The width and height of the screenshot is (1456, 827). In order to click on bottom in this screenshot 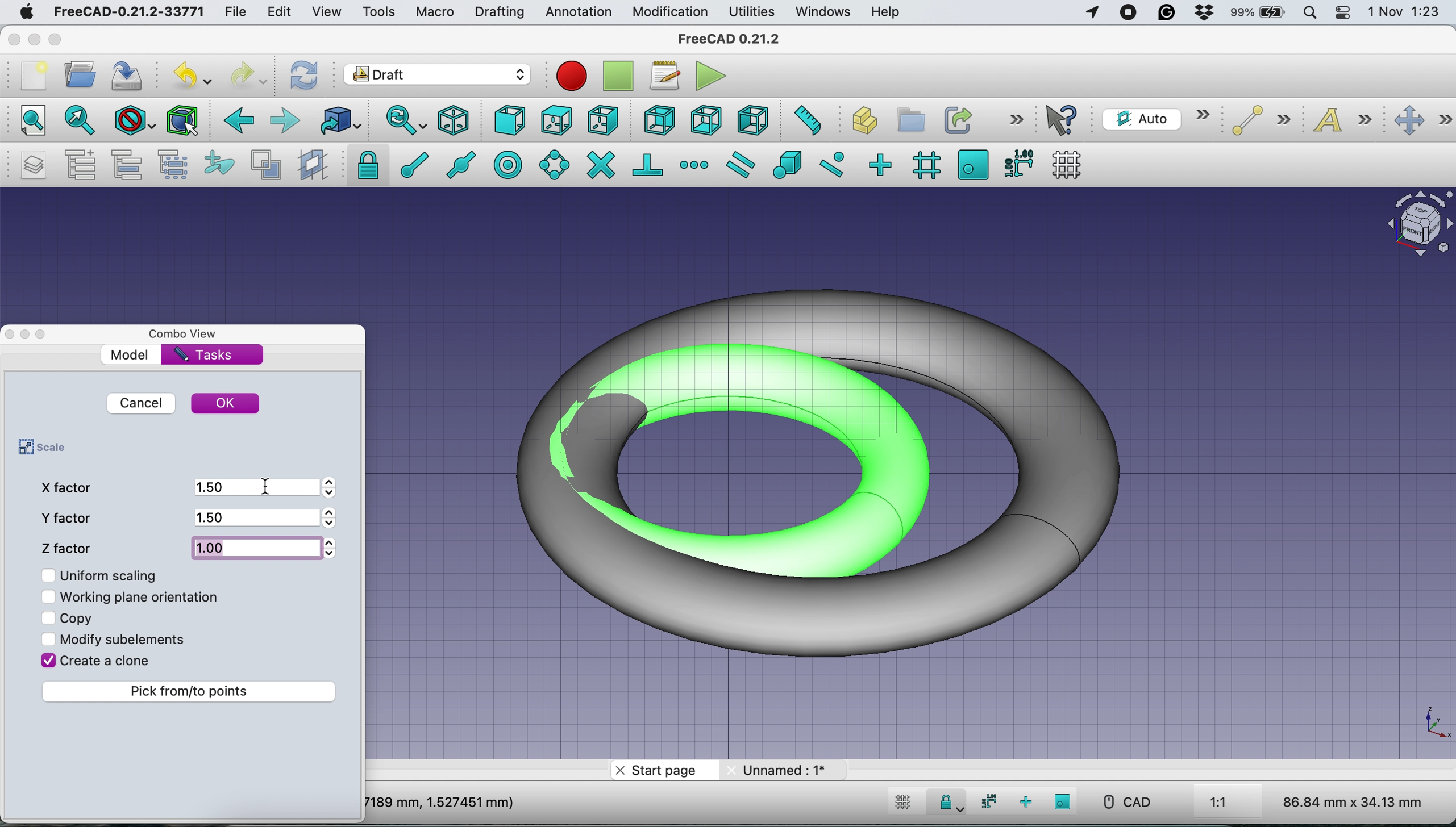, I will do `click(708, 119)`.